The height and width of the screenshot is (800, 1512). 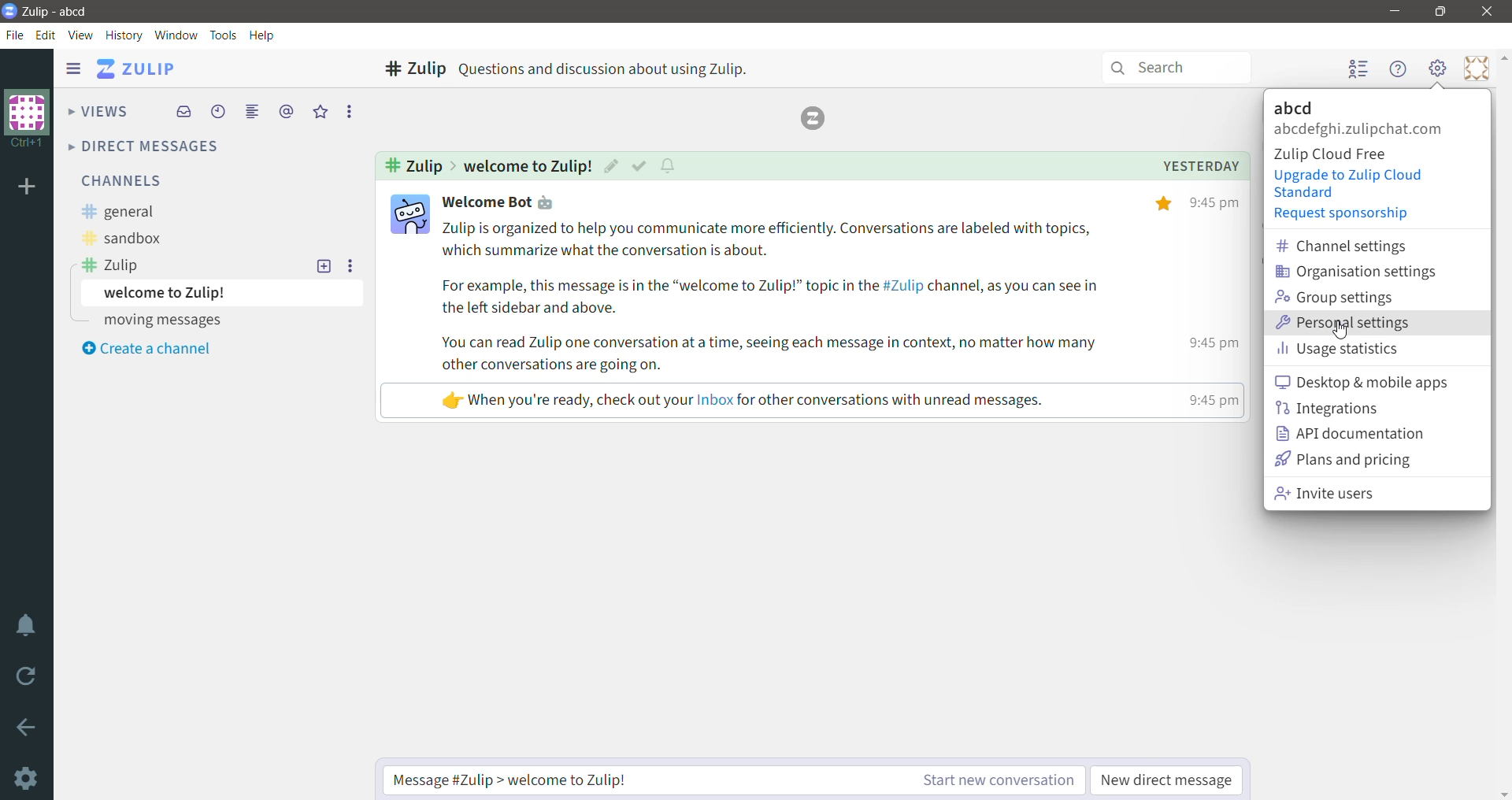 What do you see at coordinates (322, 111) in the screenshot?
I see `Starred messages` at bounding box center [322, 111].